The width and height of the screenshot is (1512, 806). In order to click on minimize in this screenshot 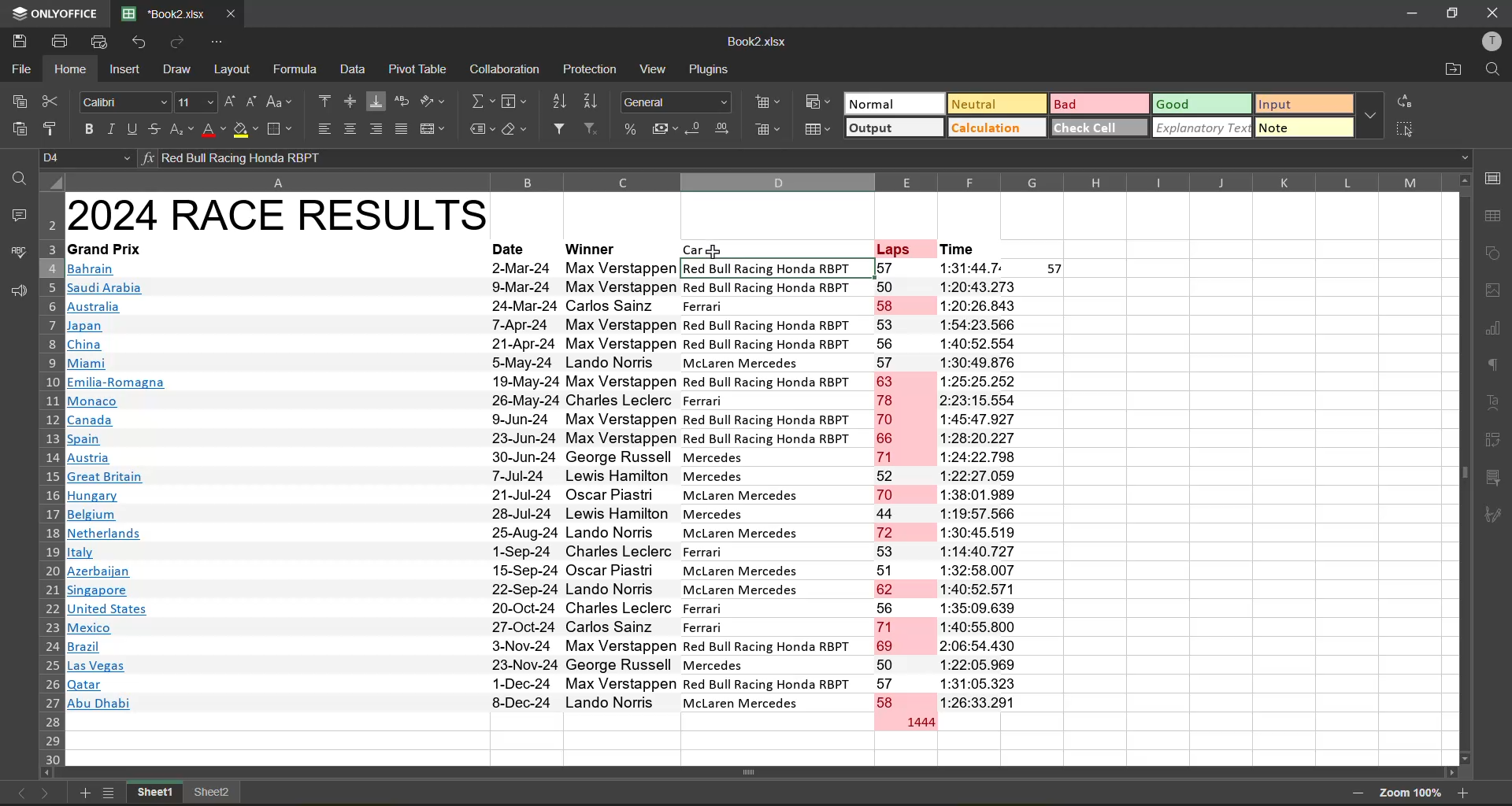, I will do `click(1411, 14)`.